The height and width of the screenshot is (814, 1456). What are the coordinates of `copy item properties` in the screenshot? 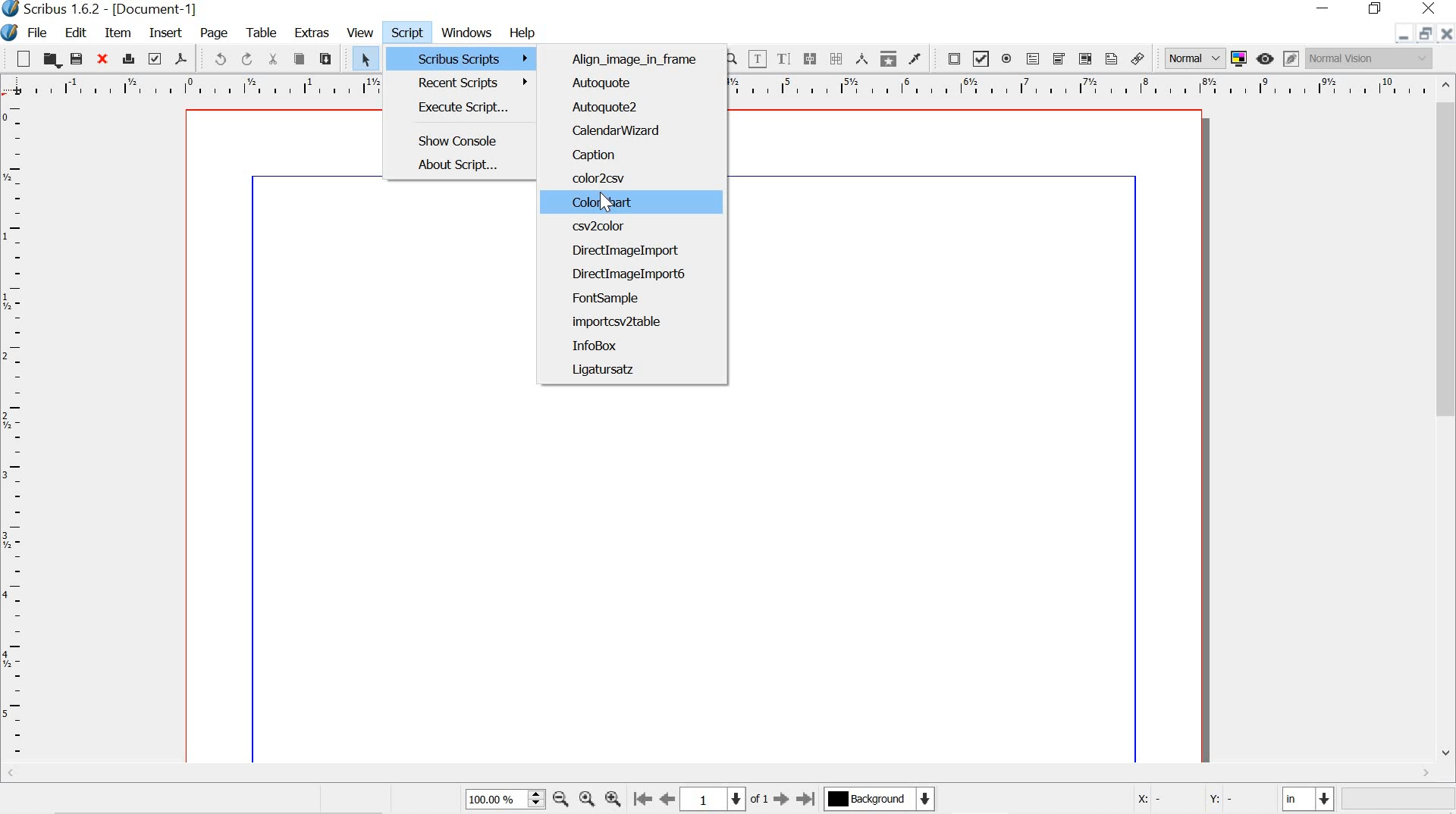 It's located at (889, 60).